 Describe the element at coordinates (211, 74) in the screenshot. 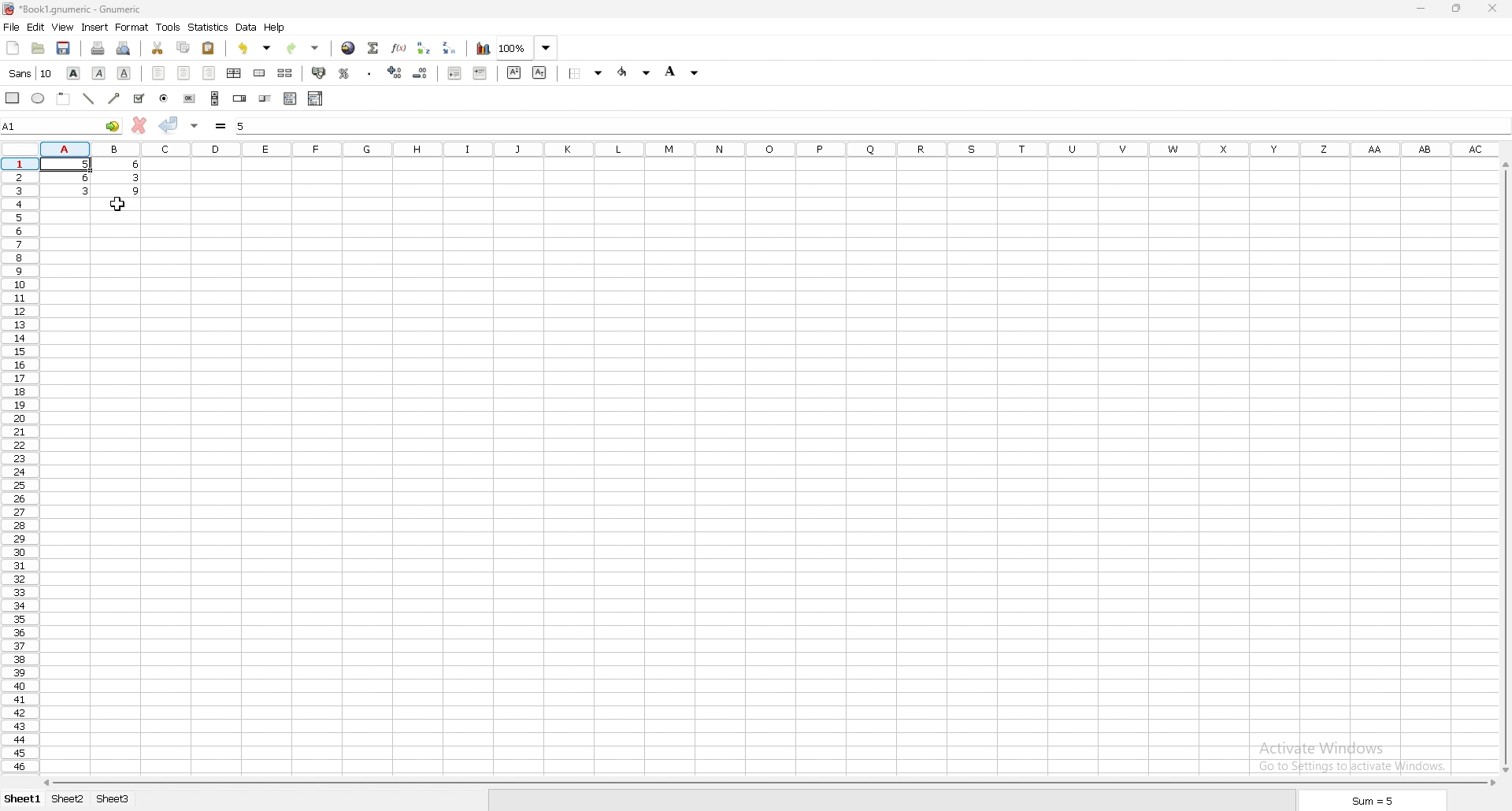

I see `align right` at that location.